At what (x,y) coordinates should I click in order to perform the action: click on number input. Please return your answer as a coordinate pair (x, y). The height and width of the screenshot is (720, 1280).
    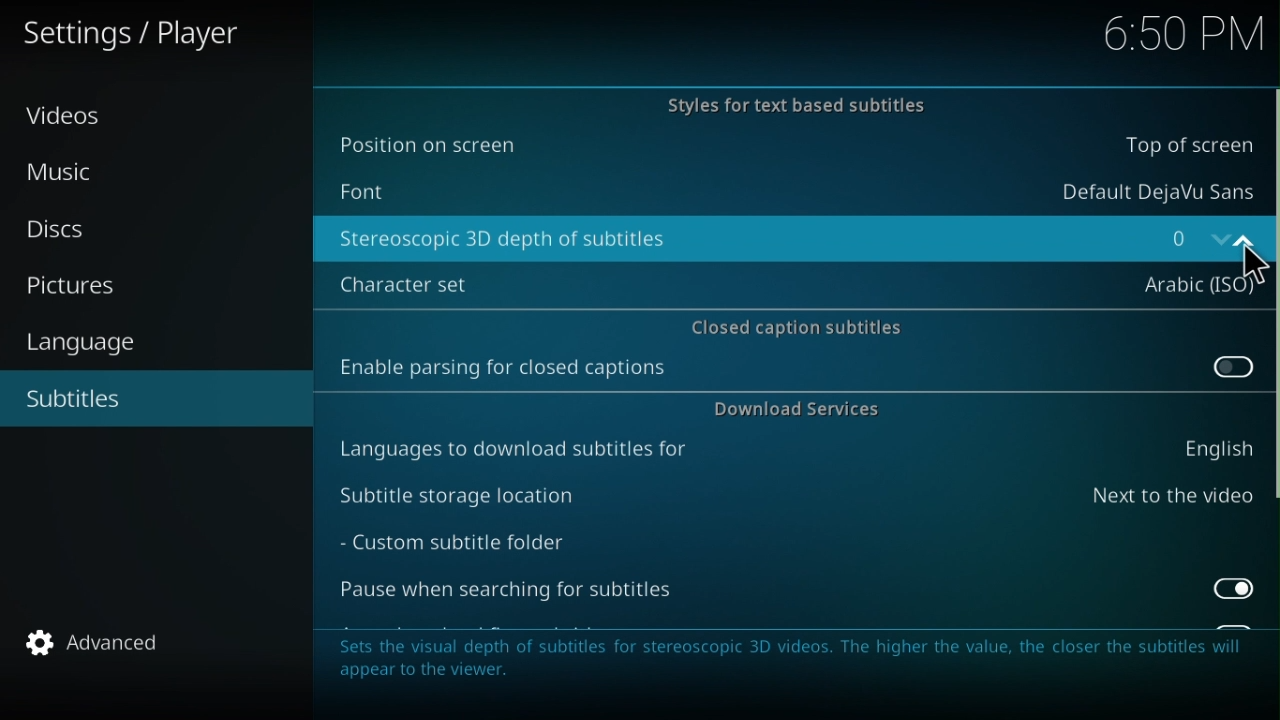
    Looking at the image, I should click on (1197, 237).